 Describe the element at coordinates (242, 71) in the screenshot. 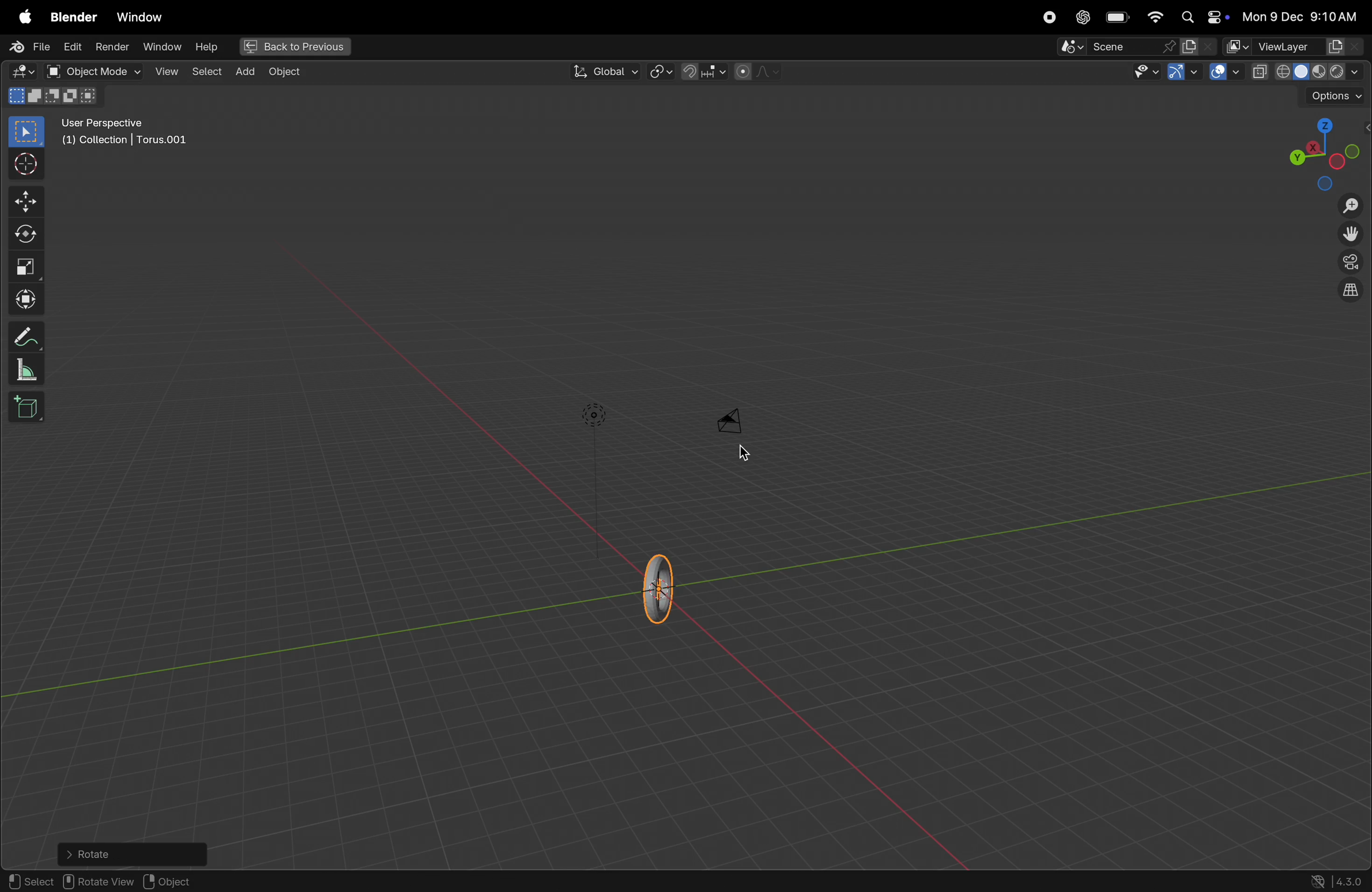

I see `add` at that location.